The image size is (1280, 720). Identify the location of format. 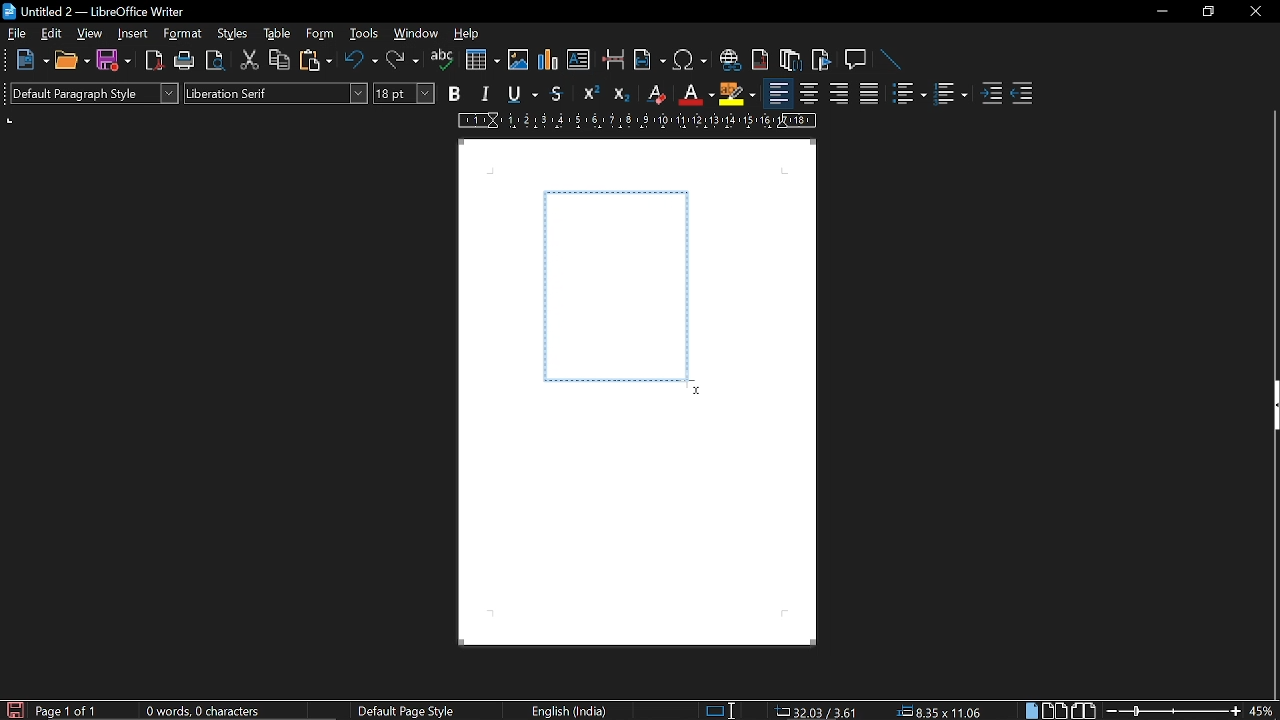
(185, 35).